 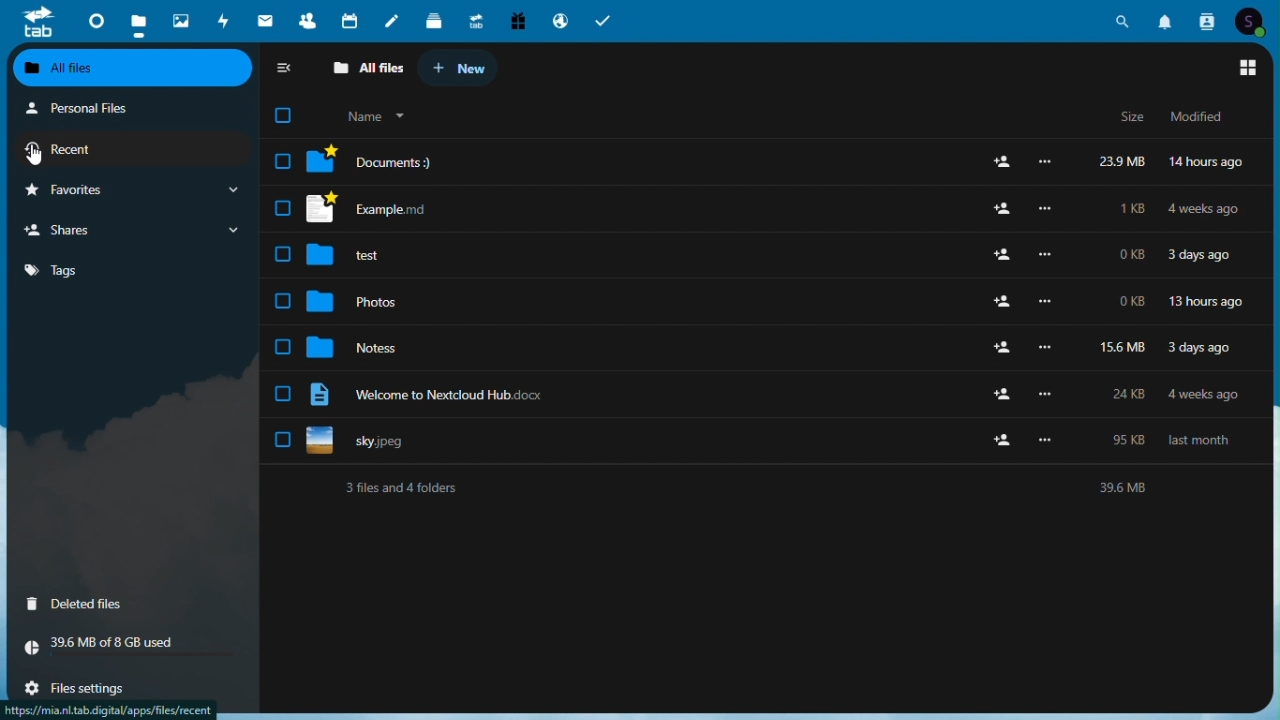 What do you see at coordinates (390, 22) in the screenshot?
I see `notes` at bounding box center [390, 22].